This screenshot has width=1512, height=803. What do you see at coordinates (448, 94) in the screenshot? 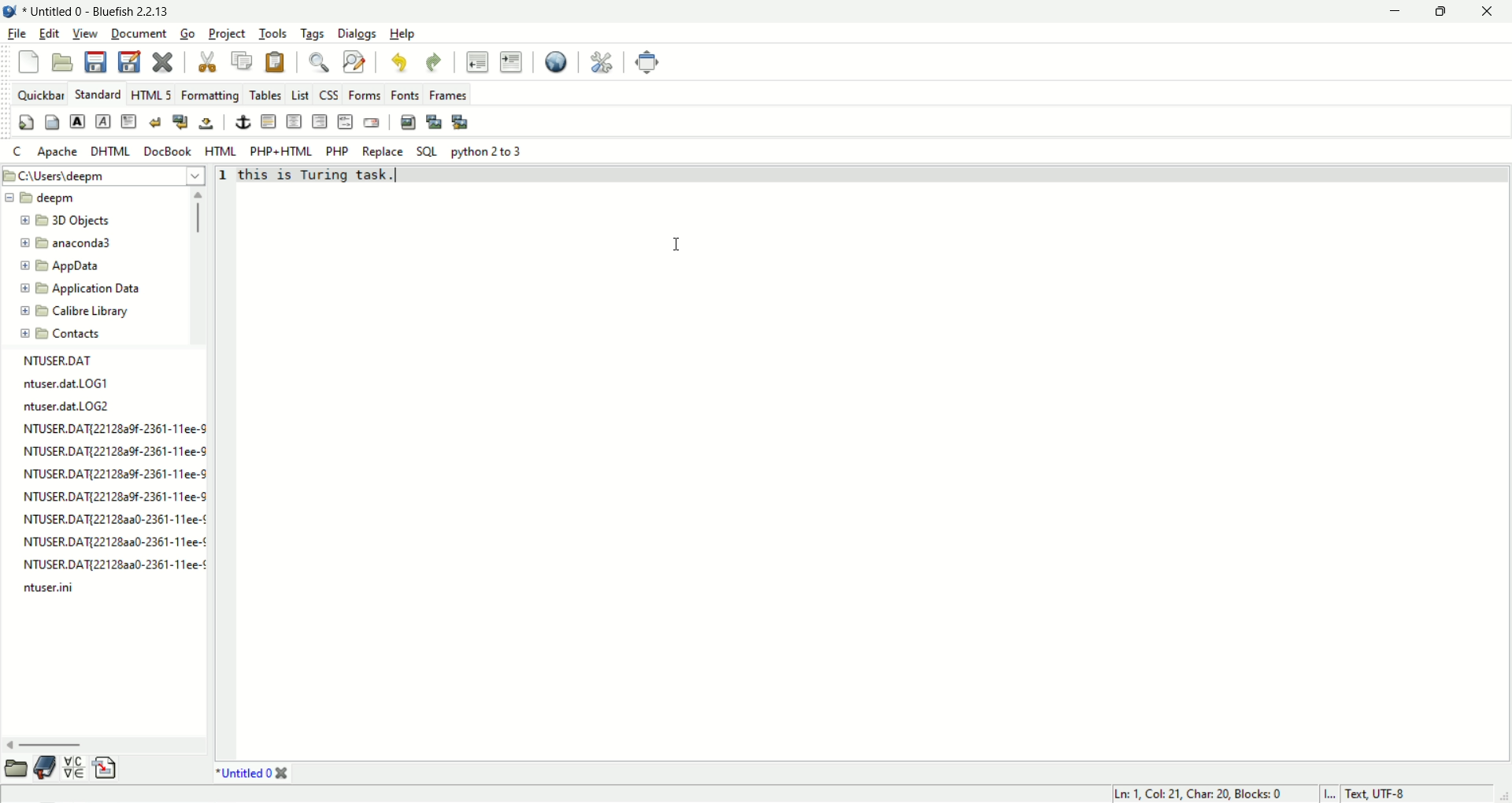
I see `Frames` at bounding box center [448, 94].